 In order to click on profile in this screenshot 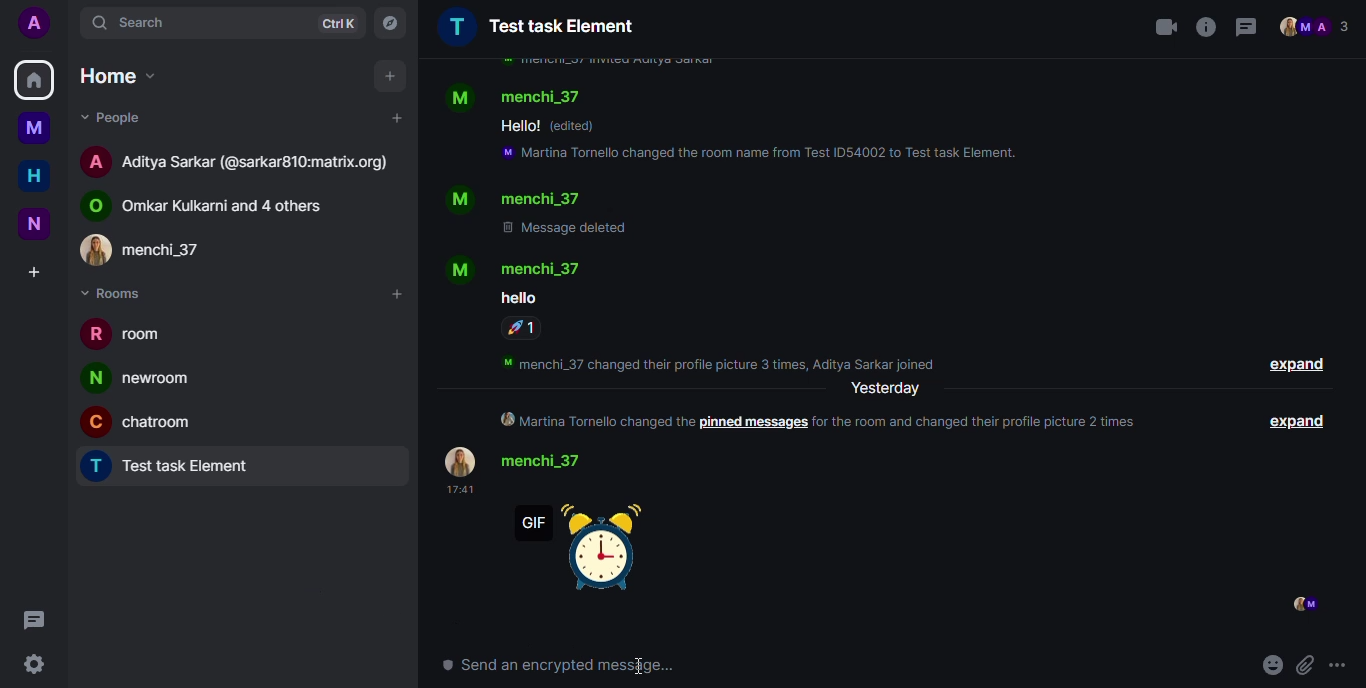, I will do `click(34, 24)`.